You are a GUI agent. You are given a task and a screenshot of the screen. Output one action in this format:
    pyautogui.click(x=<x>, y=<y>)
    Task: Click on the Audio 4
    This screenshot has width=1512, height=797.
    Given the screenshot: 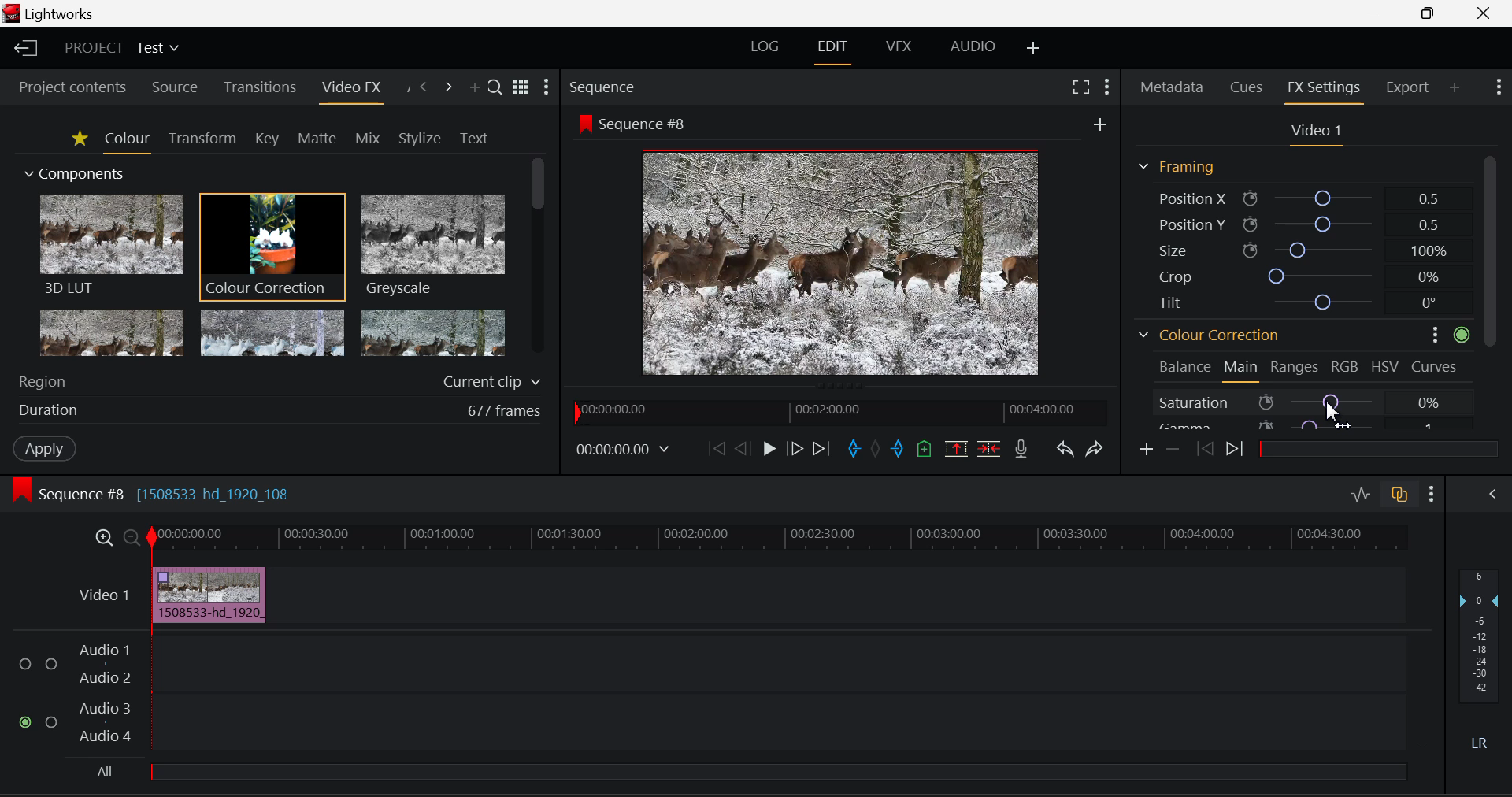 What is the action you would take?
    pyautogui.click(x=107, y=739)
    